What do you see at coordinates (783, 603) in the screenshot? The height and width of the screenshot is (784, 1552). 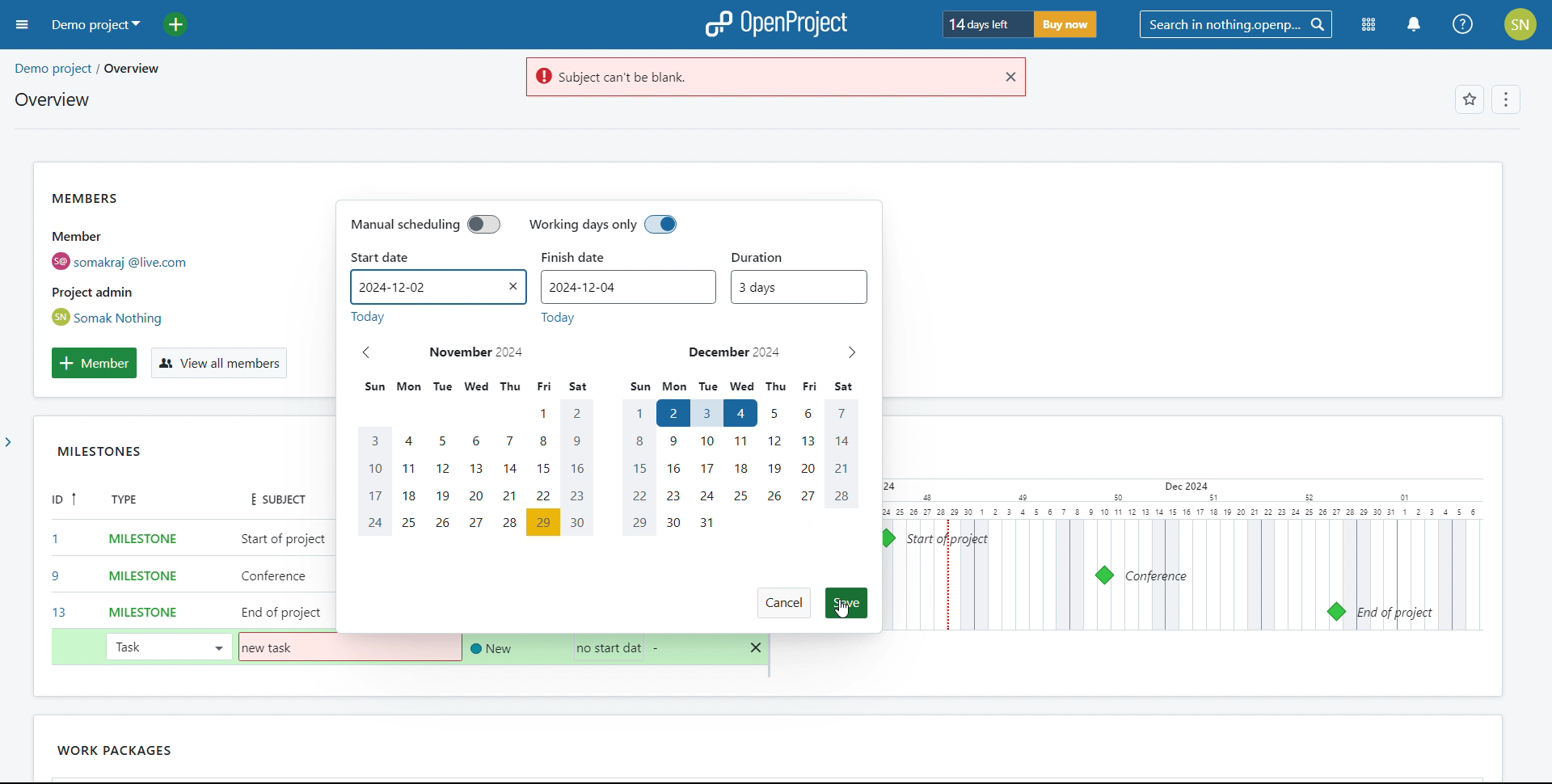 I see `cancel` at bounding box center [783, 603].